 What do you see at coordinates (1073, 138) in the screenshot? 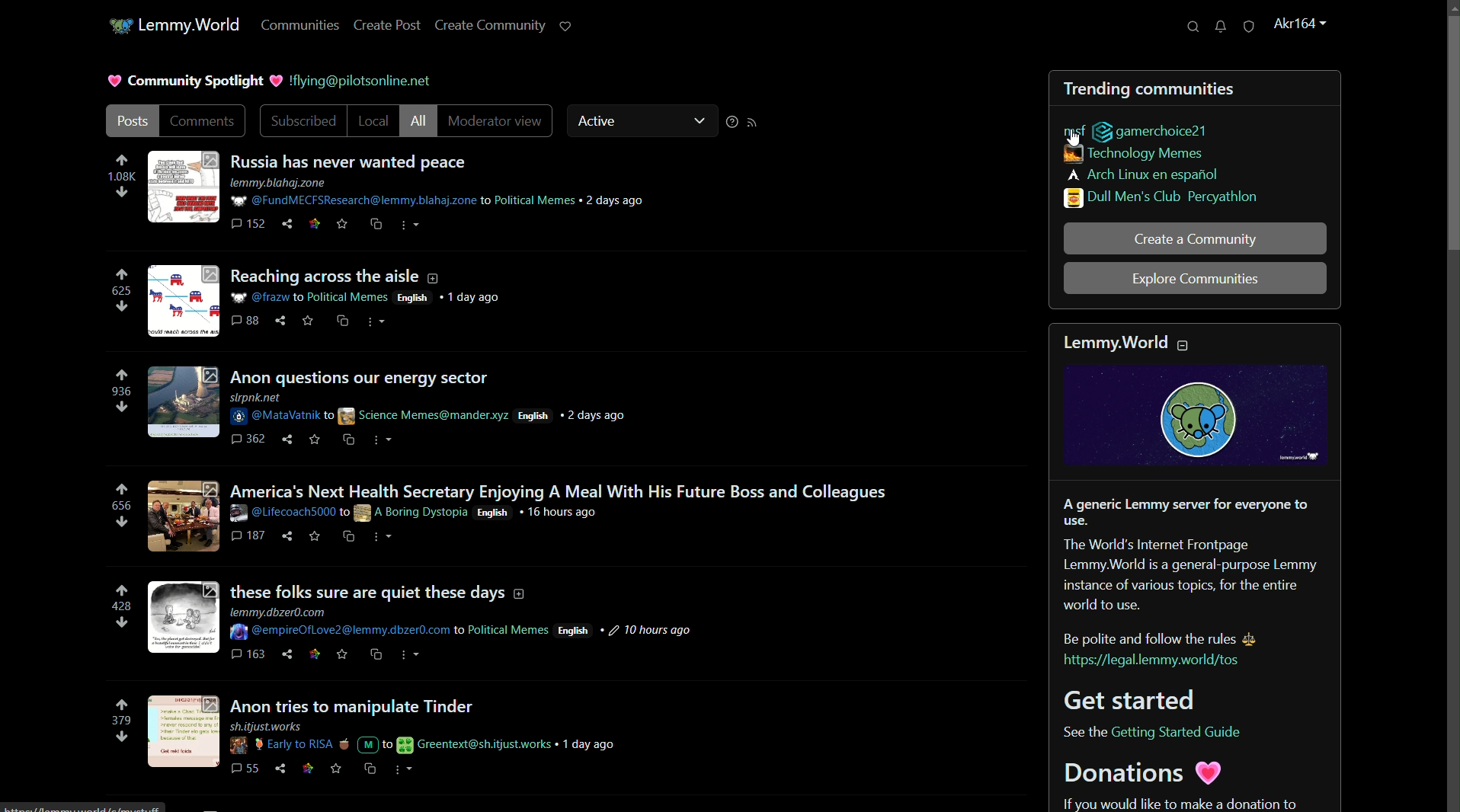
I see `cursor` at bounding box center [1073, 138].